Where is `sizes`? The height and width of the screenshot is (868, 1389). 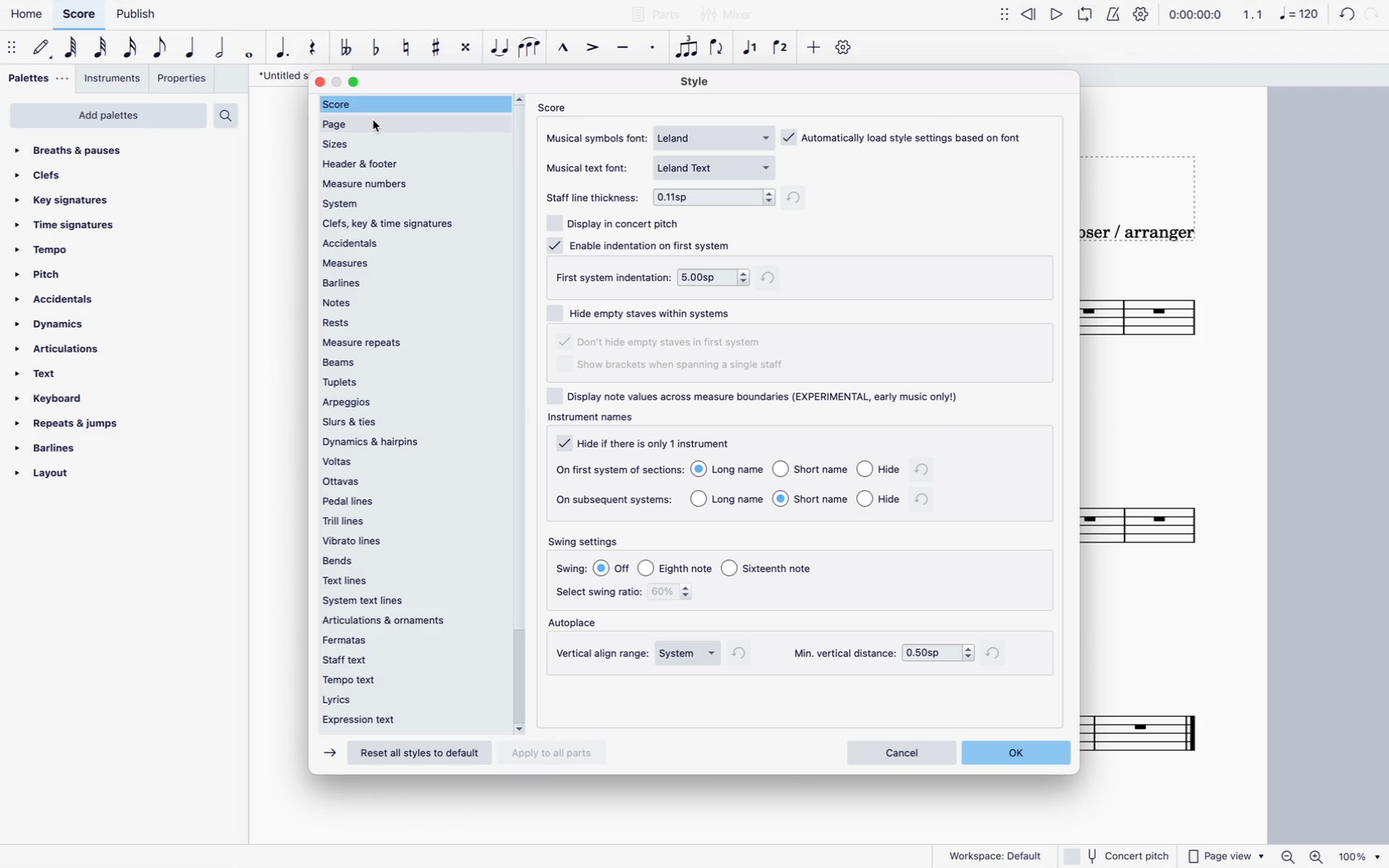 sizes is located at coordinates (346, 144).